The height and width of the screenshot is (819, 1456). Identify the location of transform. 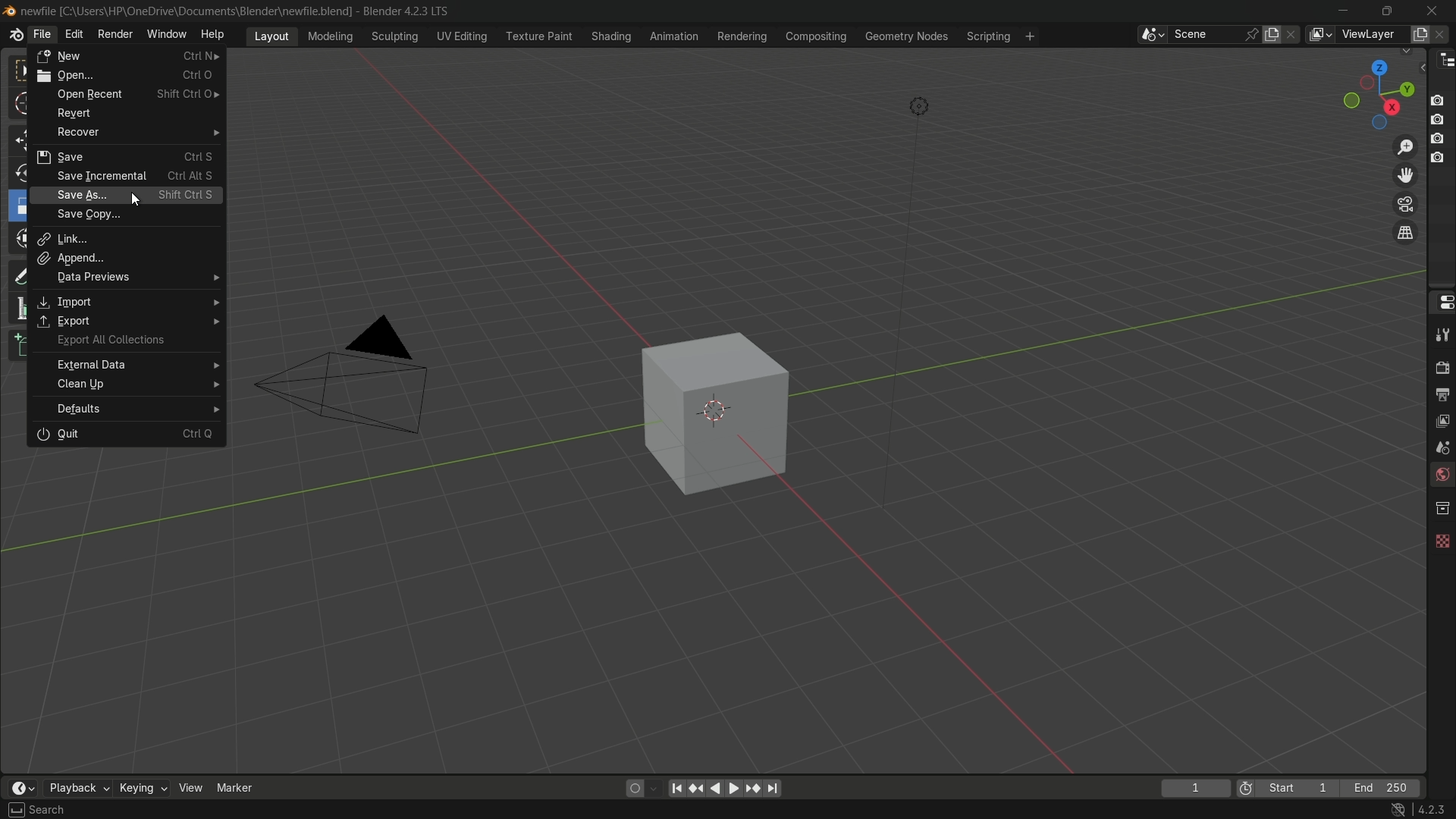
(18, 240).